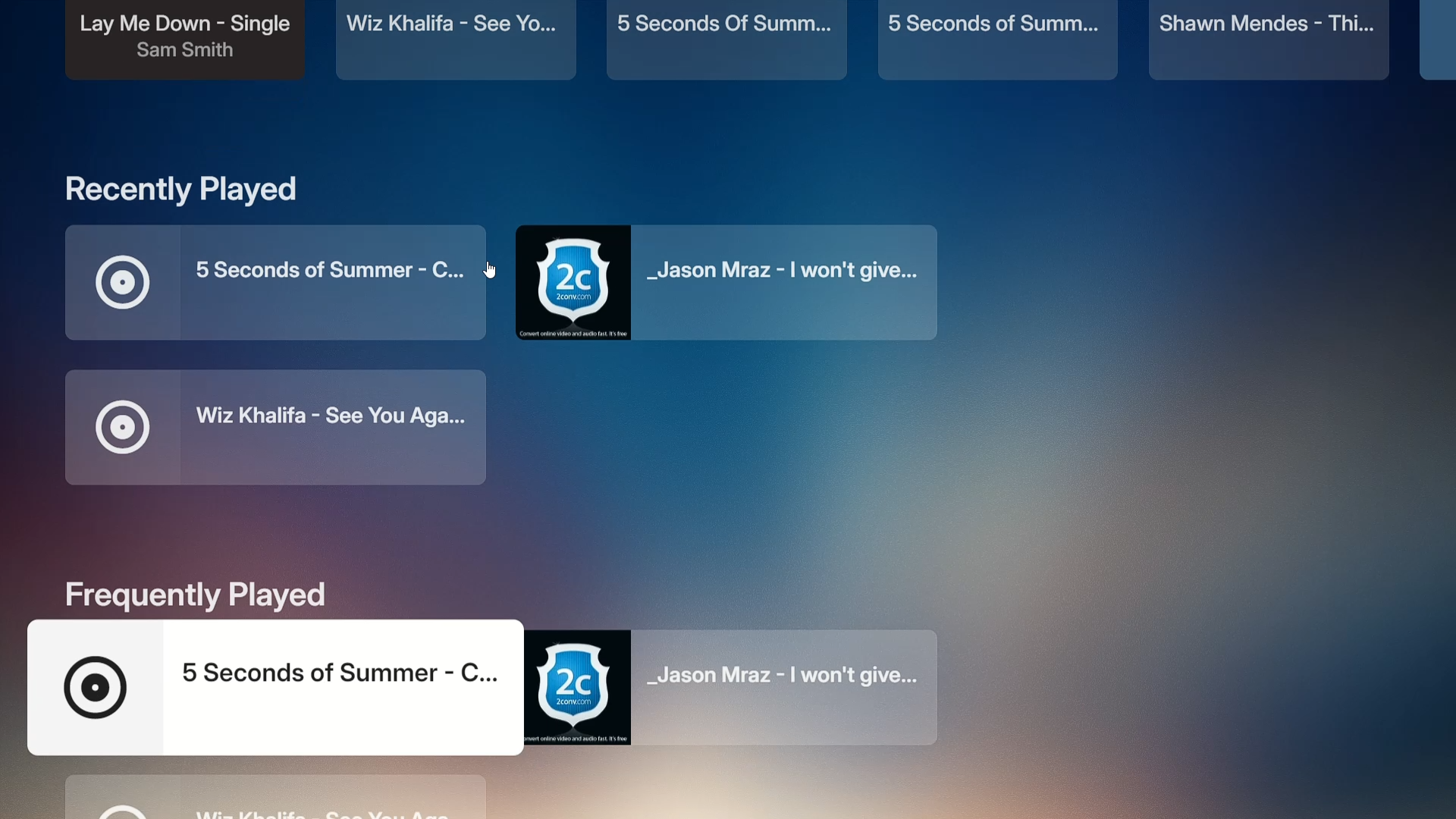  Describe the element at coordinates (197, 595) in the screenshot. I see `Frequently Played` at that location.